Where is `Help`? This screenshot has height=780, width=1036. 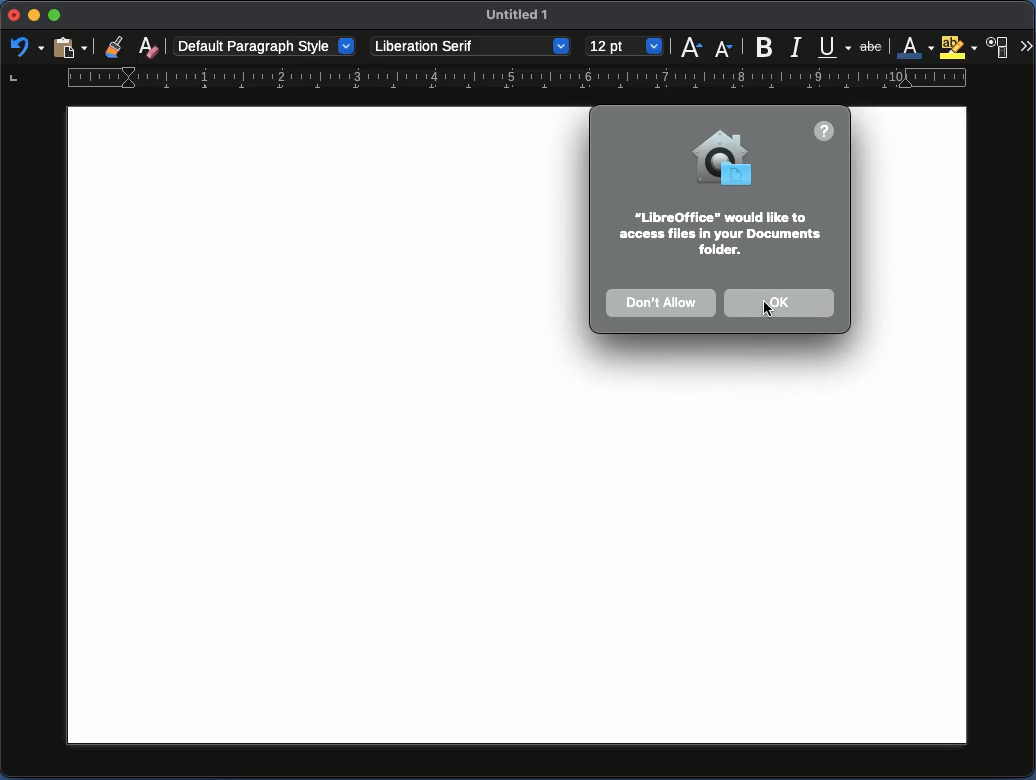
Help is located at coordinates (830, 132).